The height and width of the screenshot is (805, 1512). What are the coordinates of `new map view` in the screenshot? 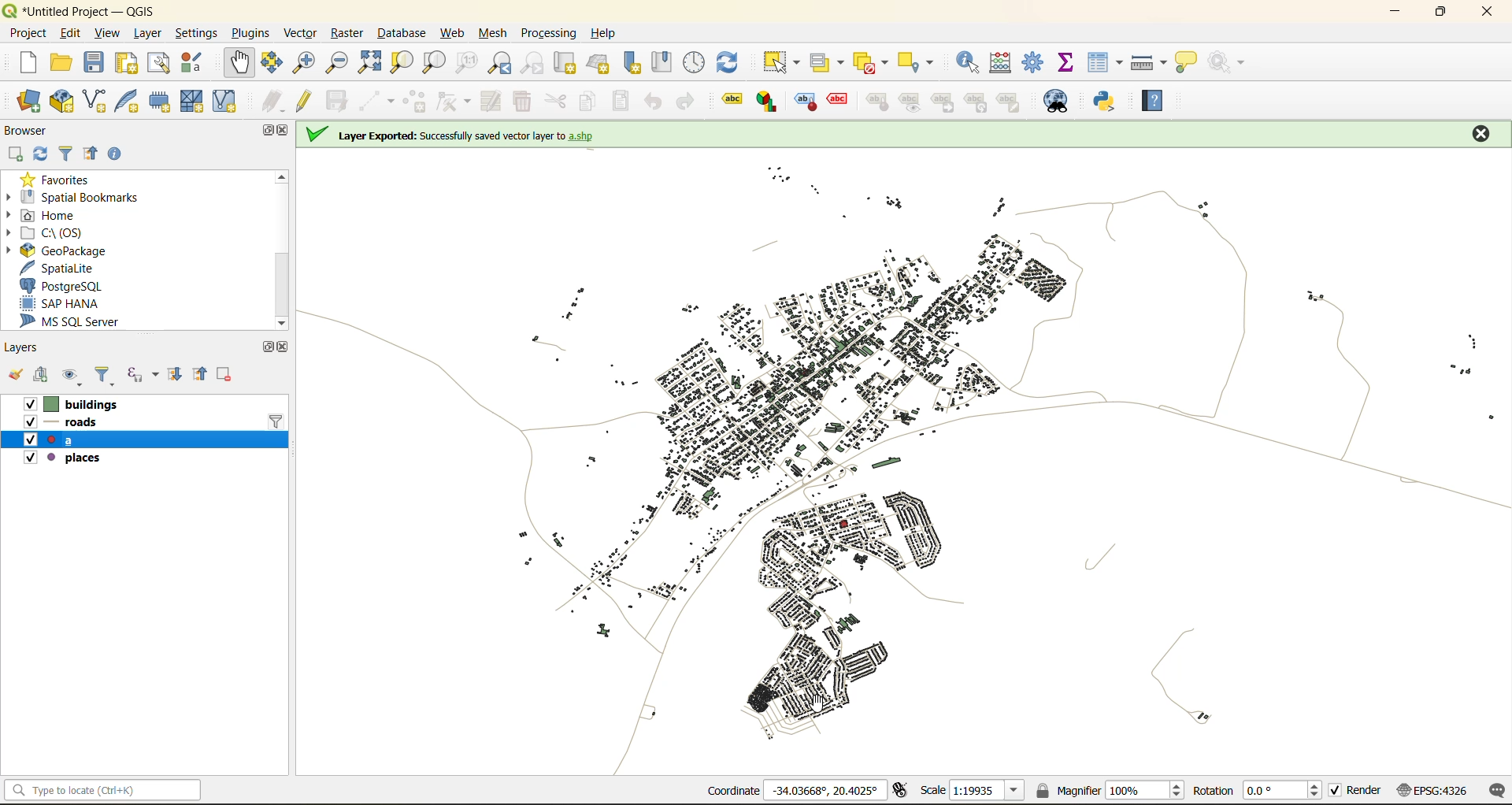 It's located at (566, 63).